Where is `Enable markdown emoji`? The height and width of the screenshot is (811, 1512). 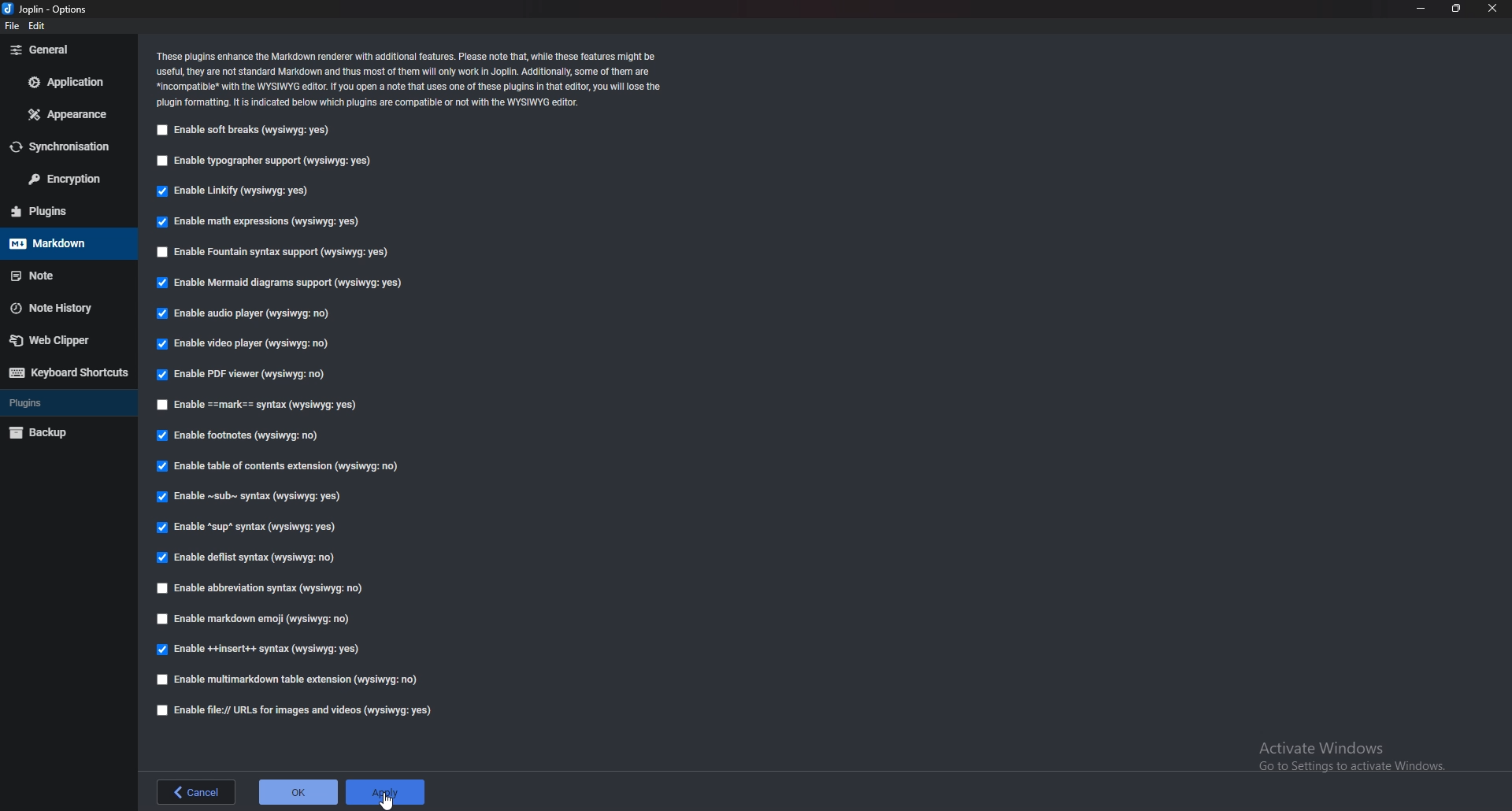
Enable markdown emoji is located at coordinates (256, 619).